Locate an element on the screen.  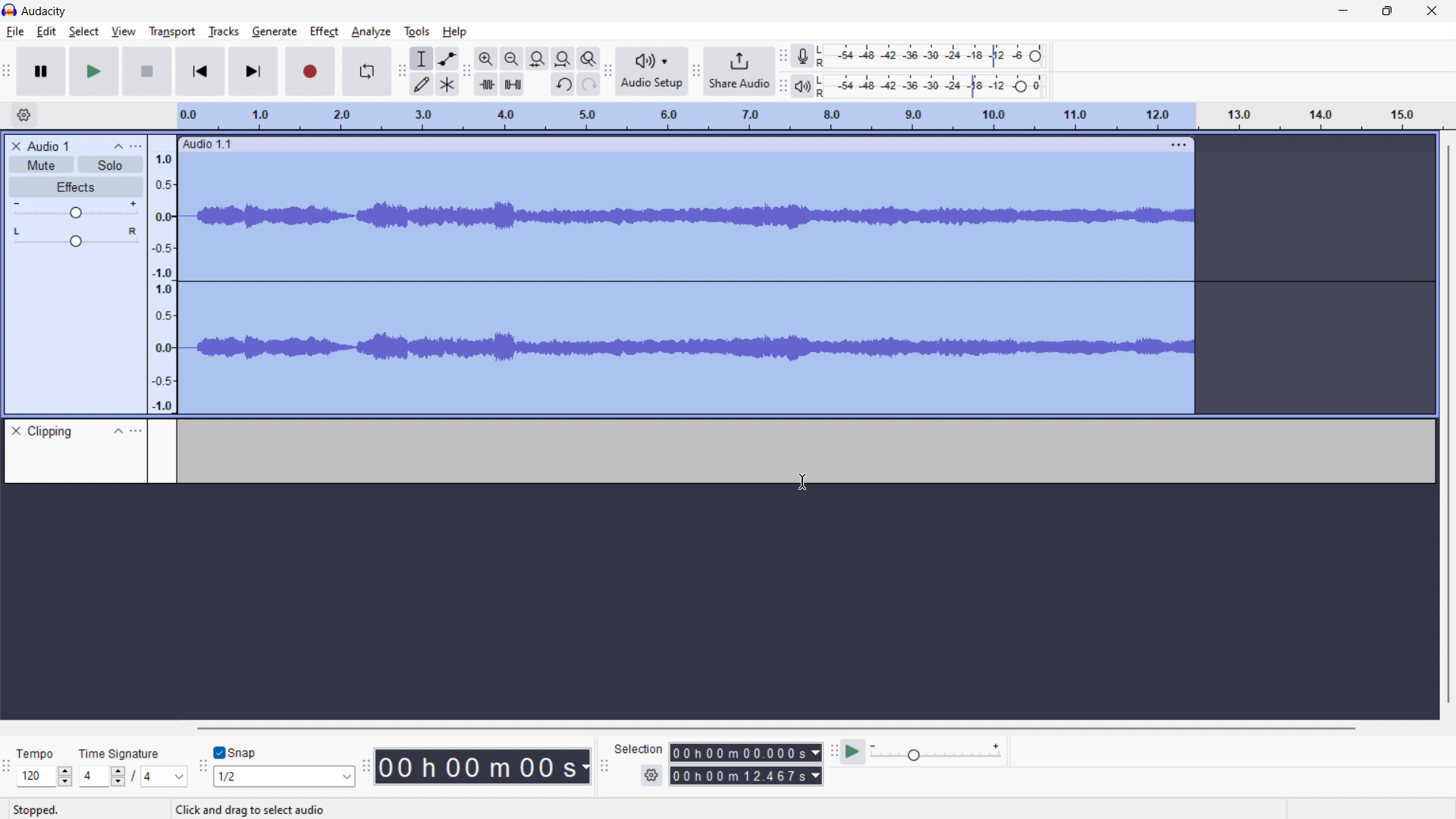
time stamp is located at coordinates (482, 765).